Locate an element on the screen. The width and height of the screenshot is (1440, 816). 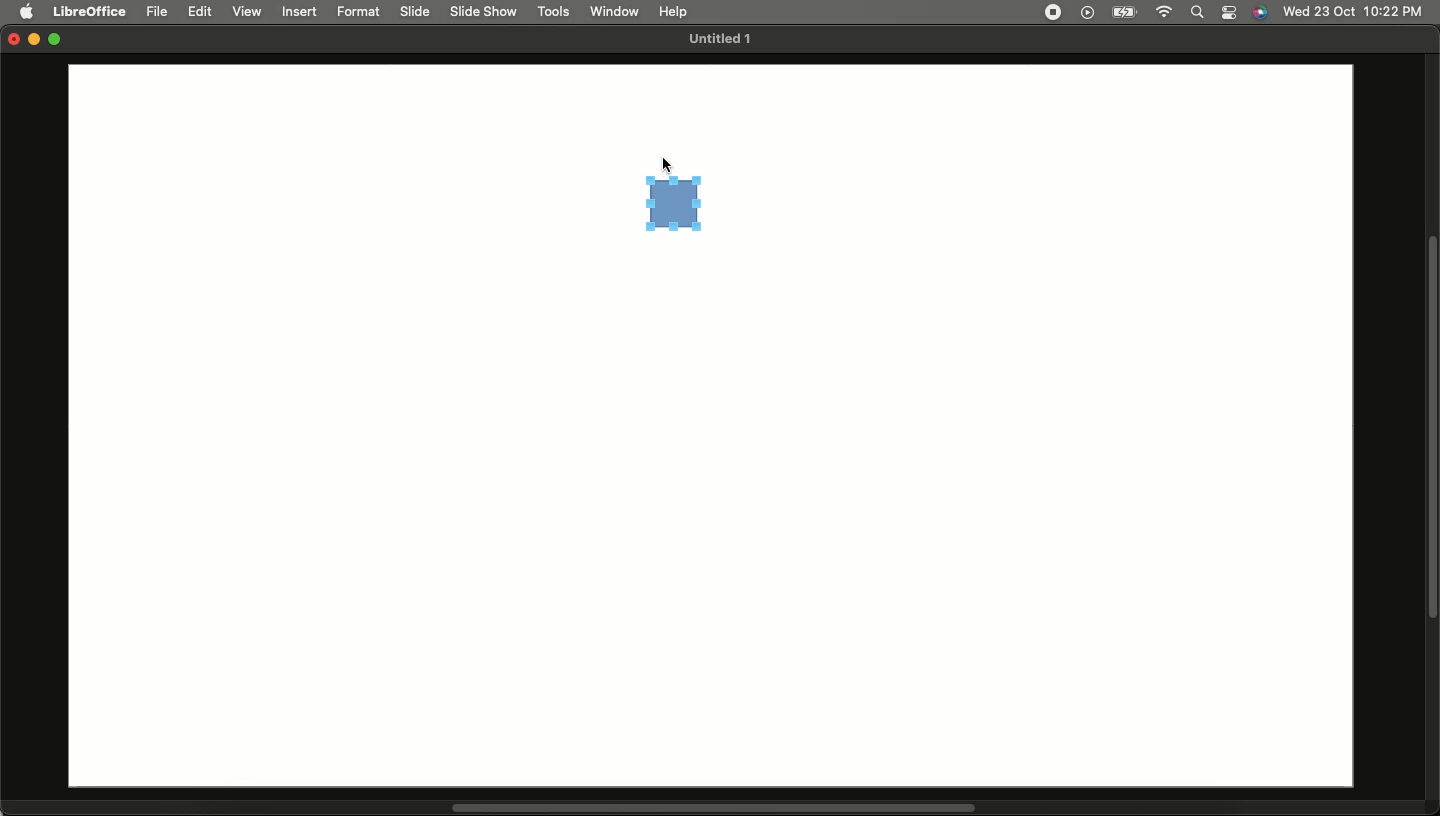
Insert is located at coordinates (301, 12).